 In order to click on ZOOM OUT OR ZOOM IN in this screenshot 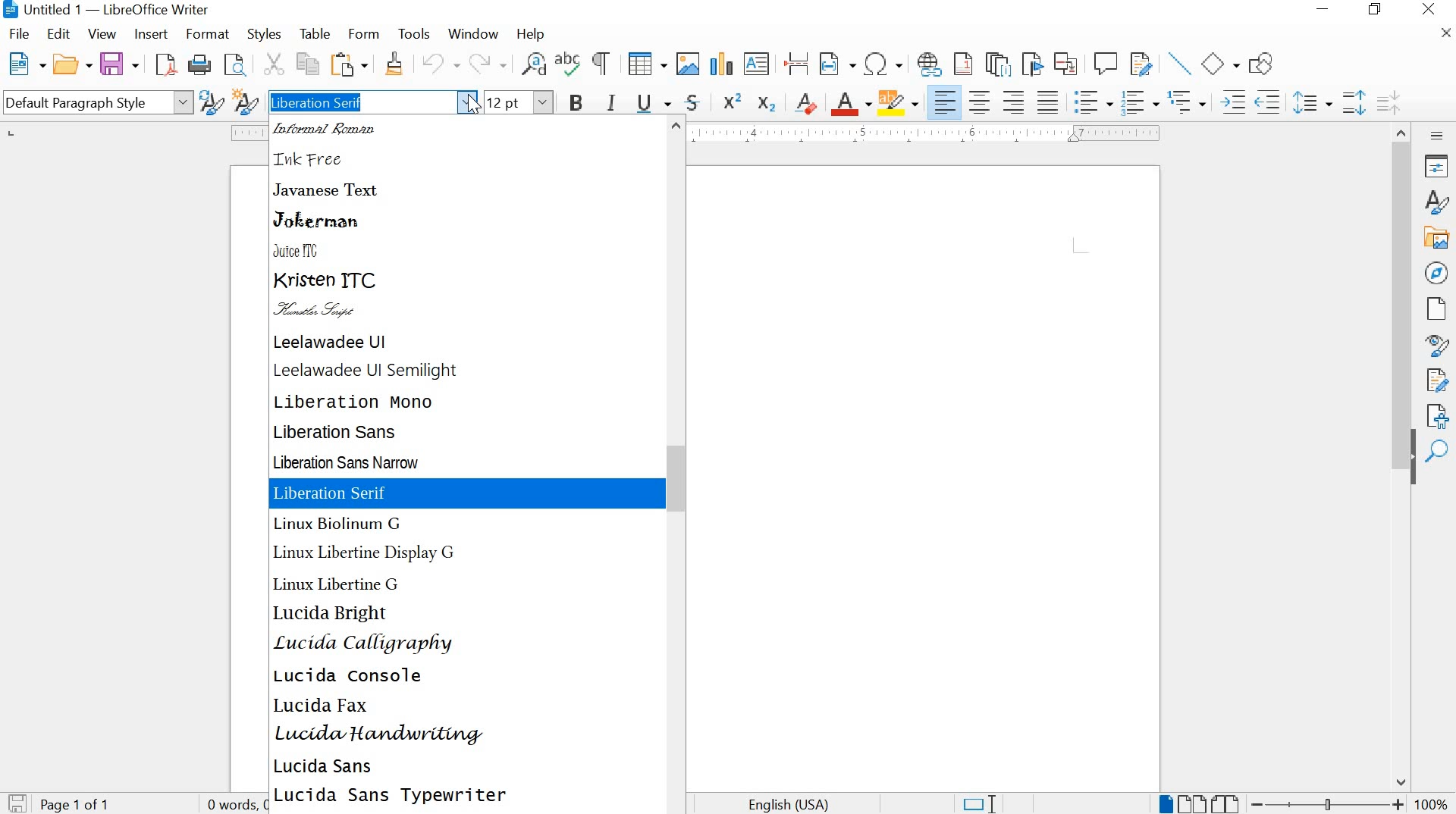, I will do `click(1328, 803)`.